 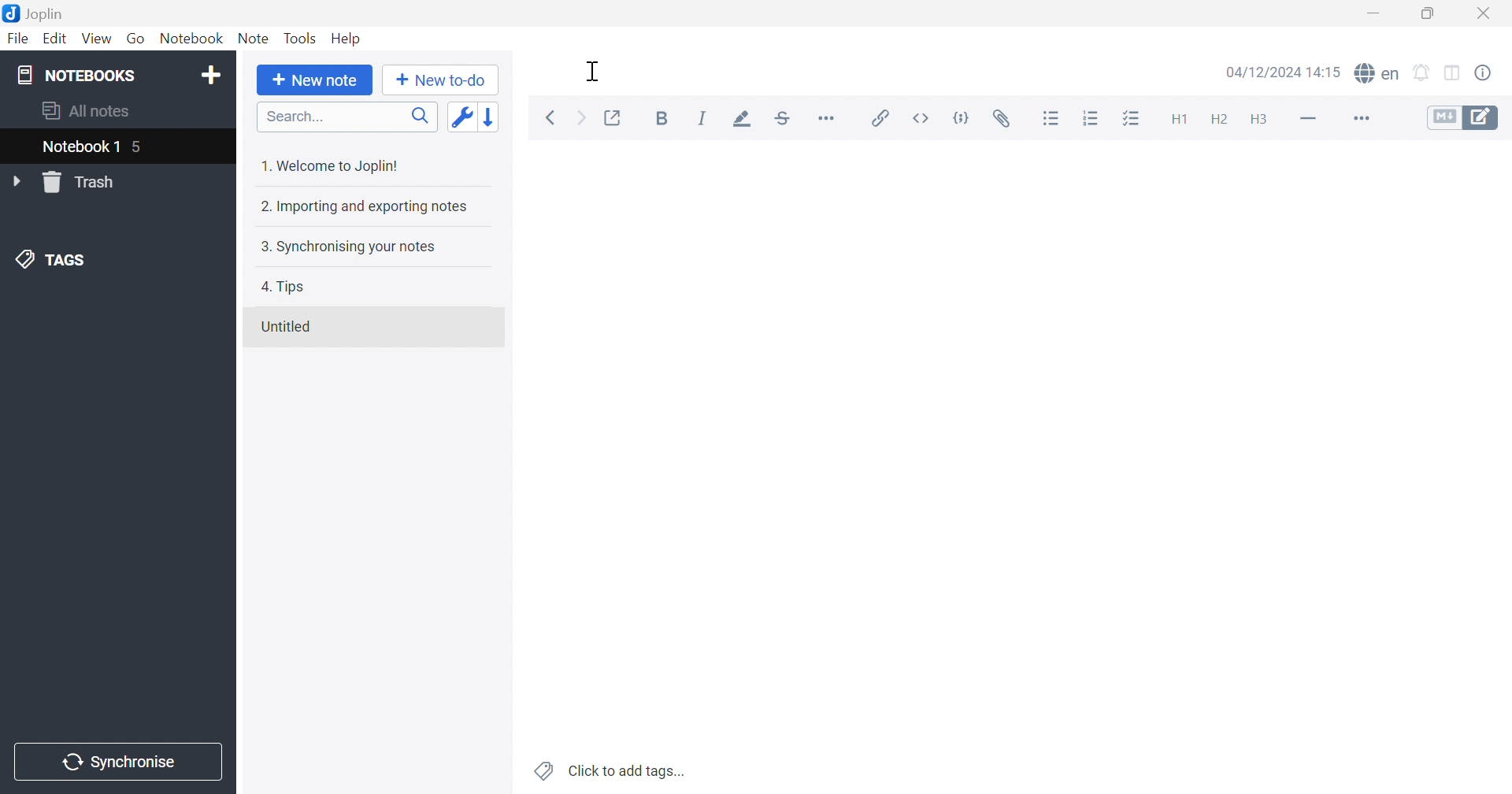 I want to click on Bold, so click(x=666, y=120).